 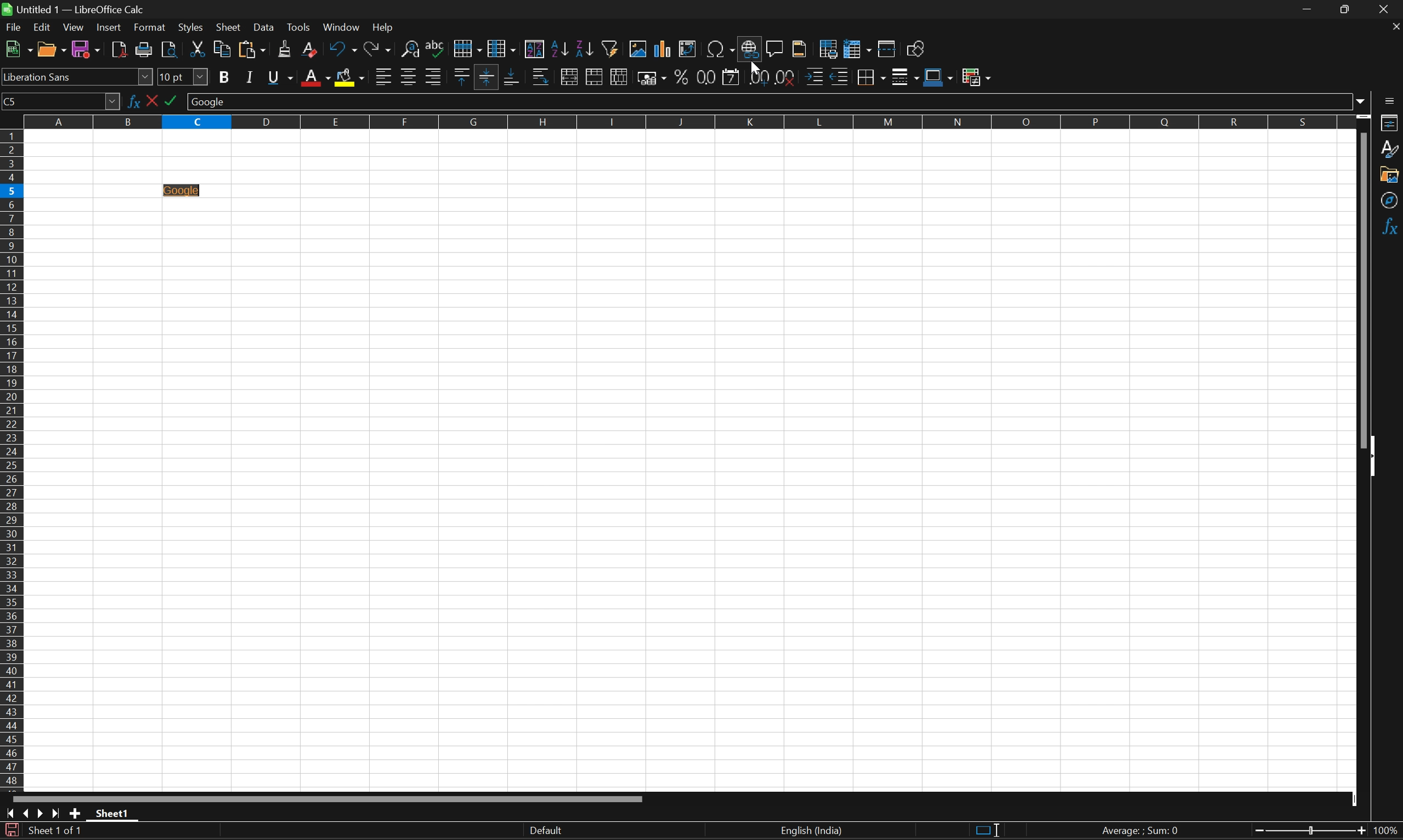 I want to click on Undo, so click(x=343, y=50).